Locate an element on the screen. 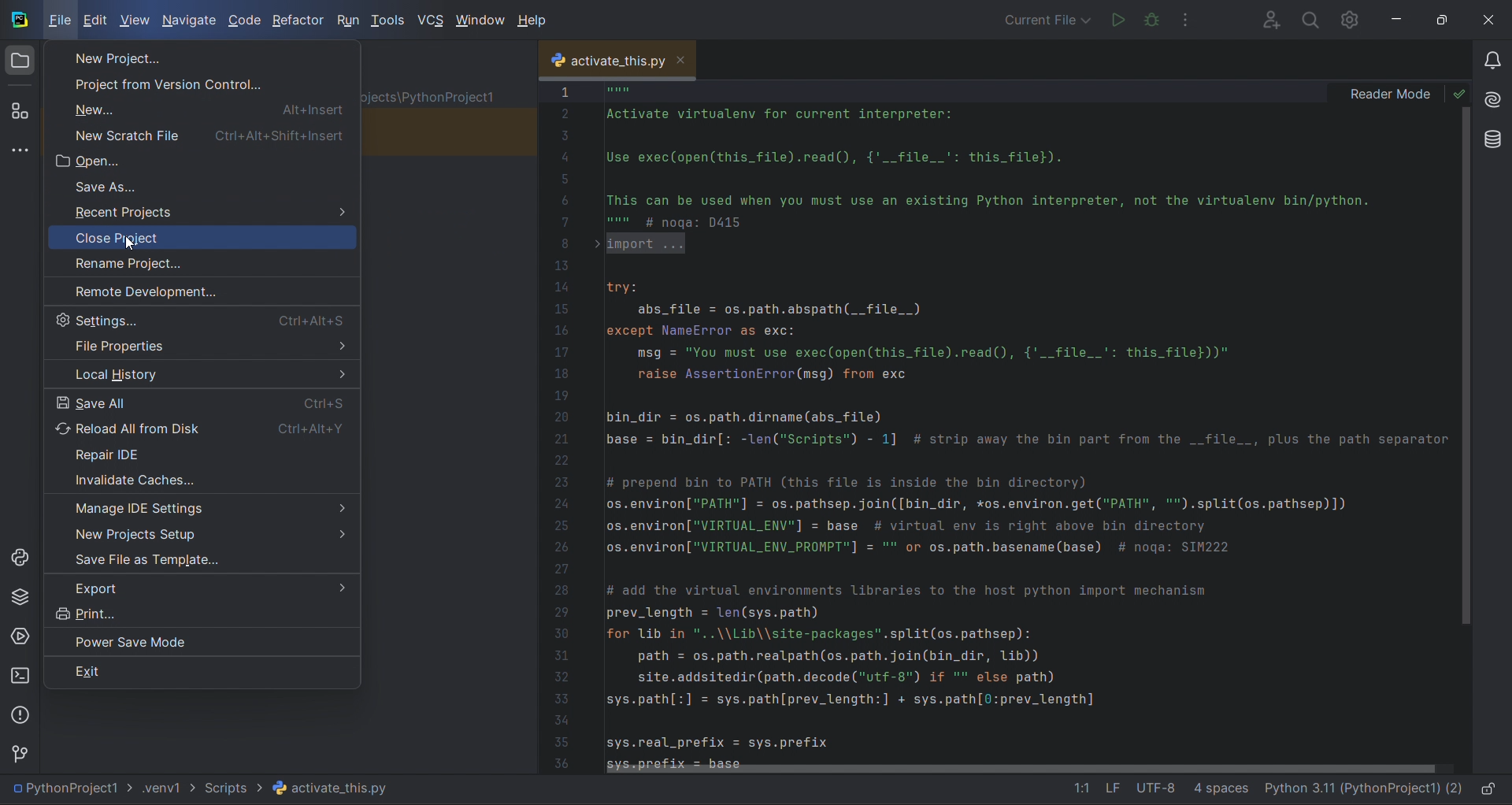 The image size is (1512, 805). settings is located at coordinates (1352, 20).